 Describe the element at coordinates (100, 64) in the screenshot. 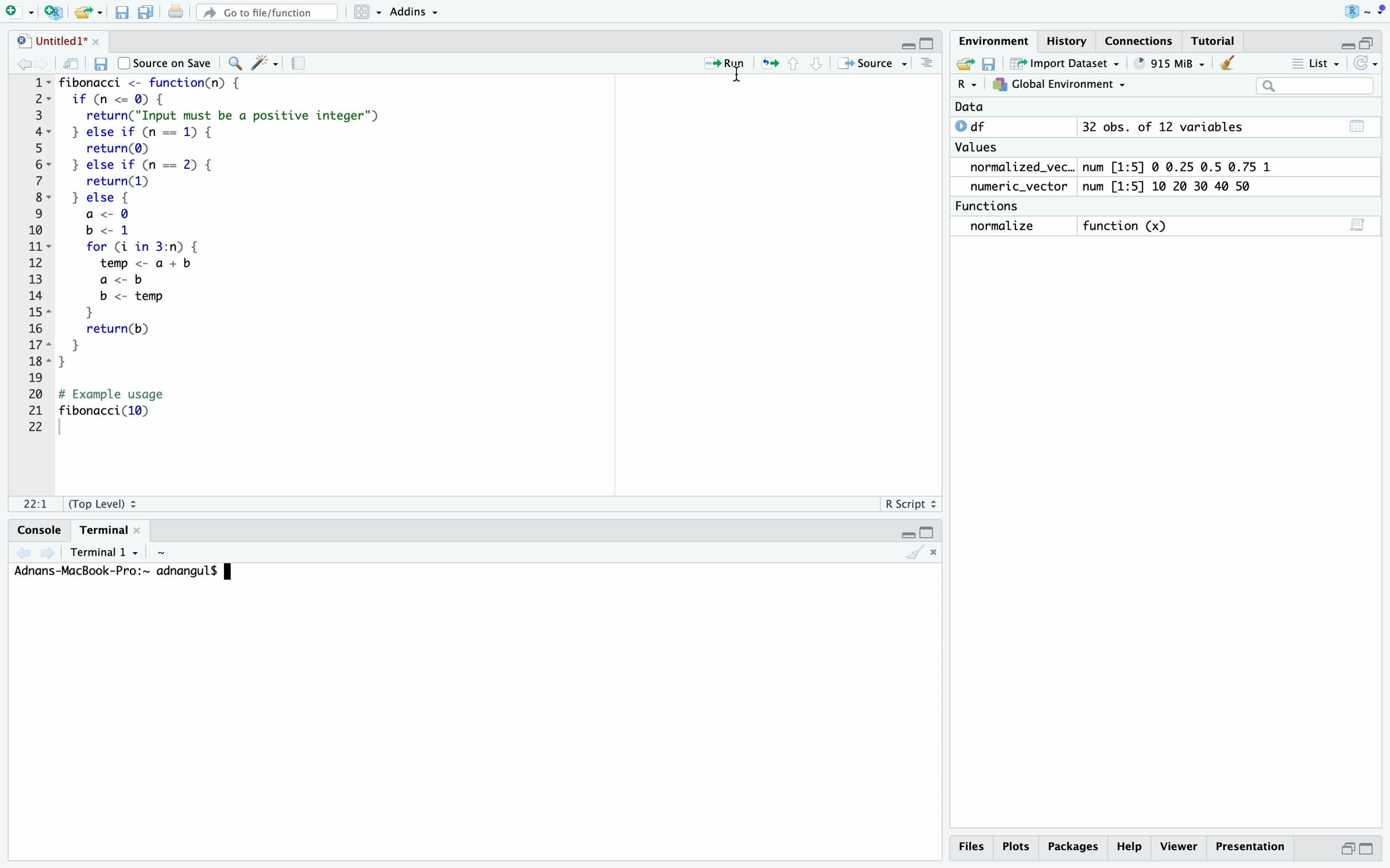

I see `save current document` at that location.